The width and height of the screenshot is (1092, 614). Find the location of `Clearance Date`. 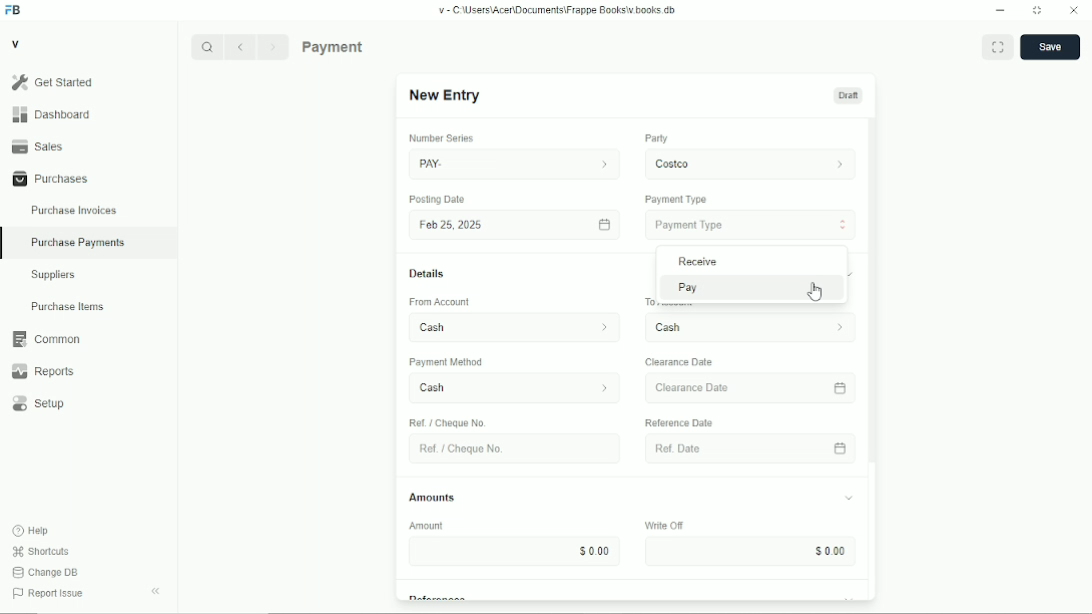

Clearance Date is located at coordinates (736, 388).